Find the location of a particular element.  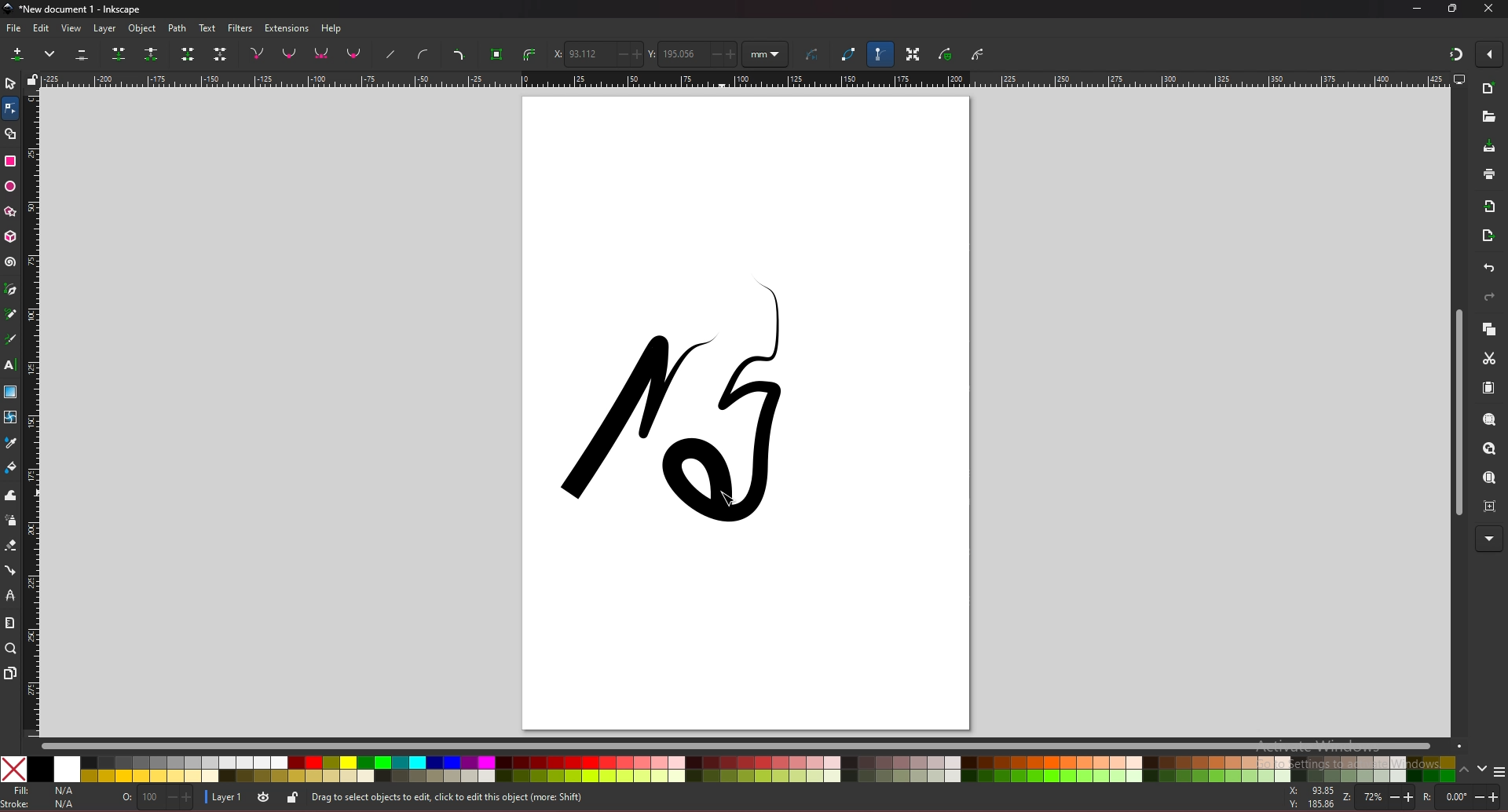

spray is located at coordinates (11, 521).